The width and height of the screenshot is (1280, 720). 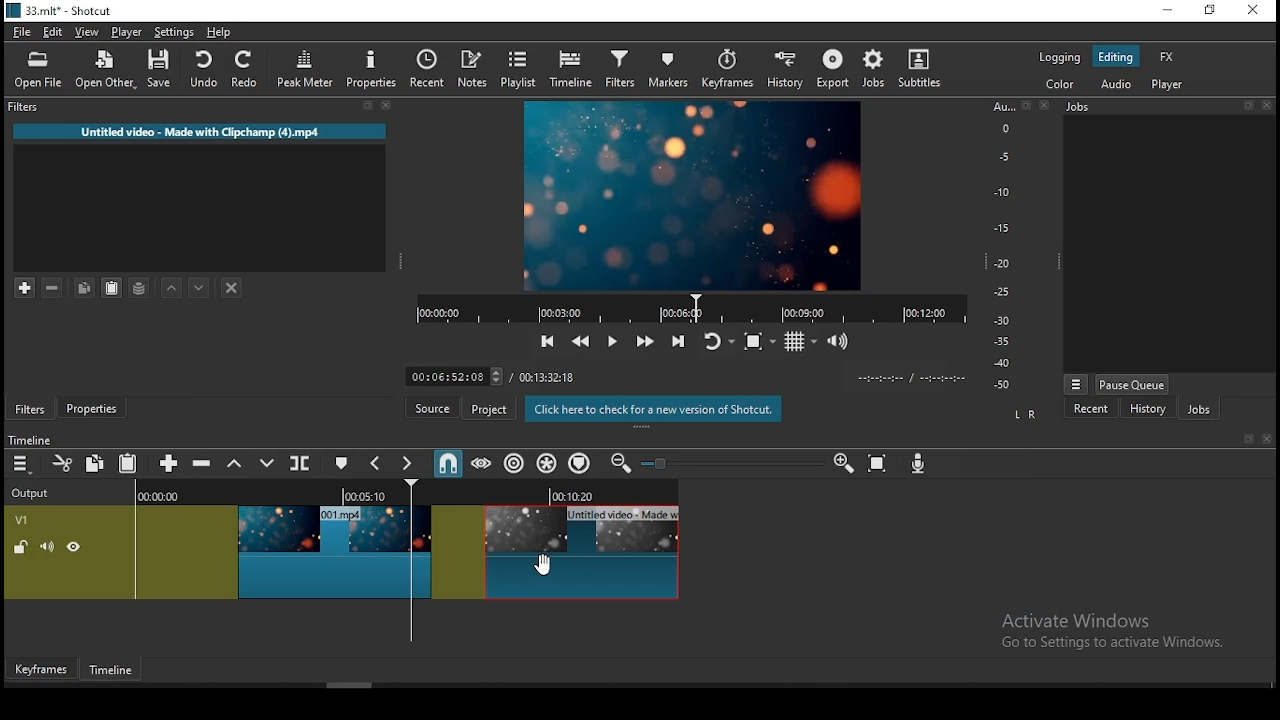 What do you see at coordinates (1245, 440) in the screenshot?
I see `book mark` at bounding box center [1245, 440].